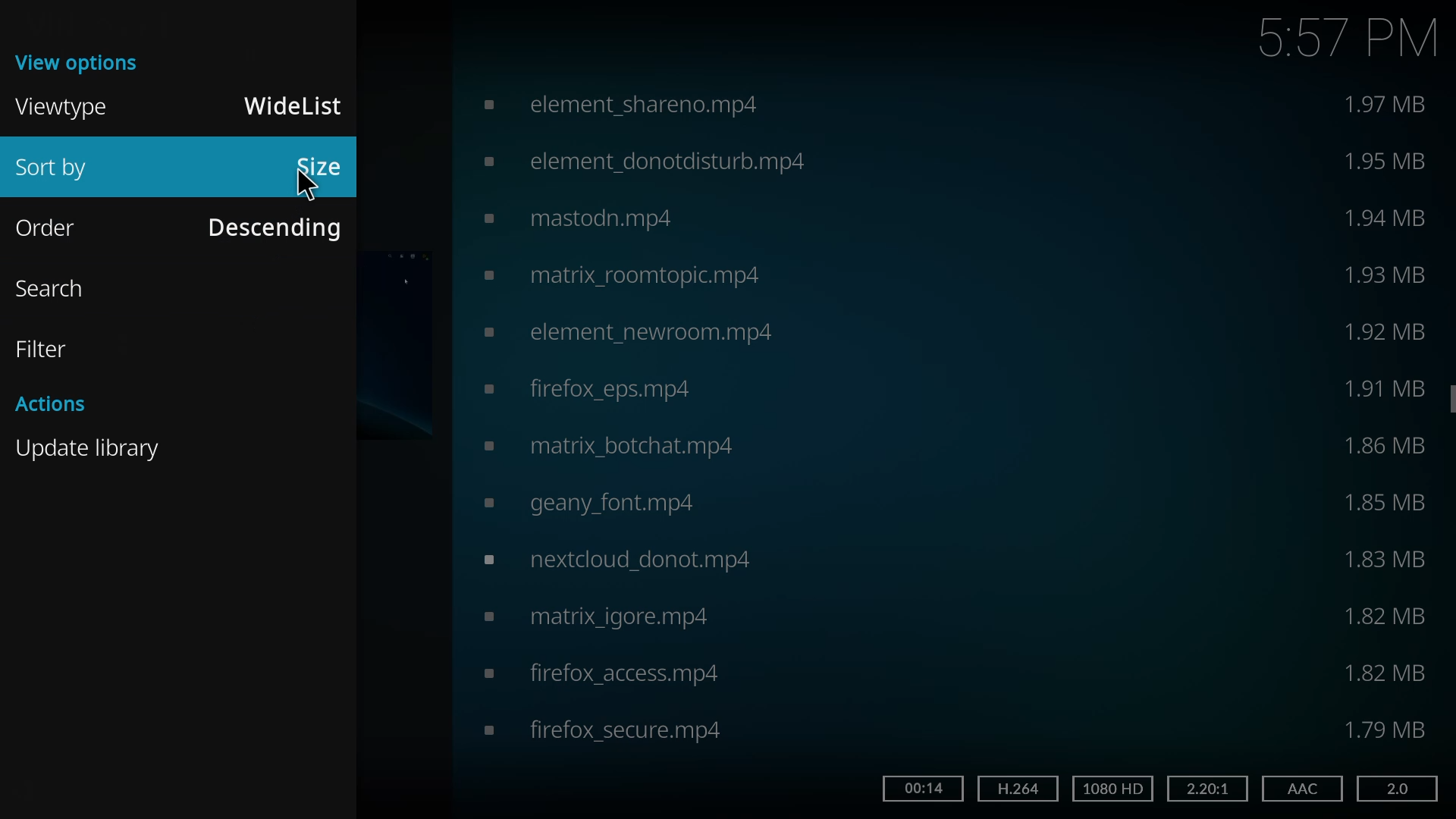 The width and height of the screenshot is (1456, 819). Describe the element at coordinates (626, 558) in the screenshot. I see `video` at that location.